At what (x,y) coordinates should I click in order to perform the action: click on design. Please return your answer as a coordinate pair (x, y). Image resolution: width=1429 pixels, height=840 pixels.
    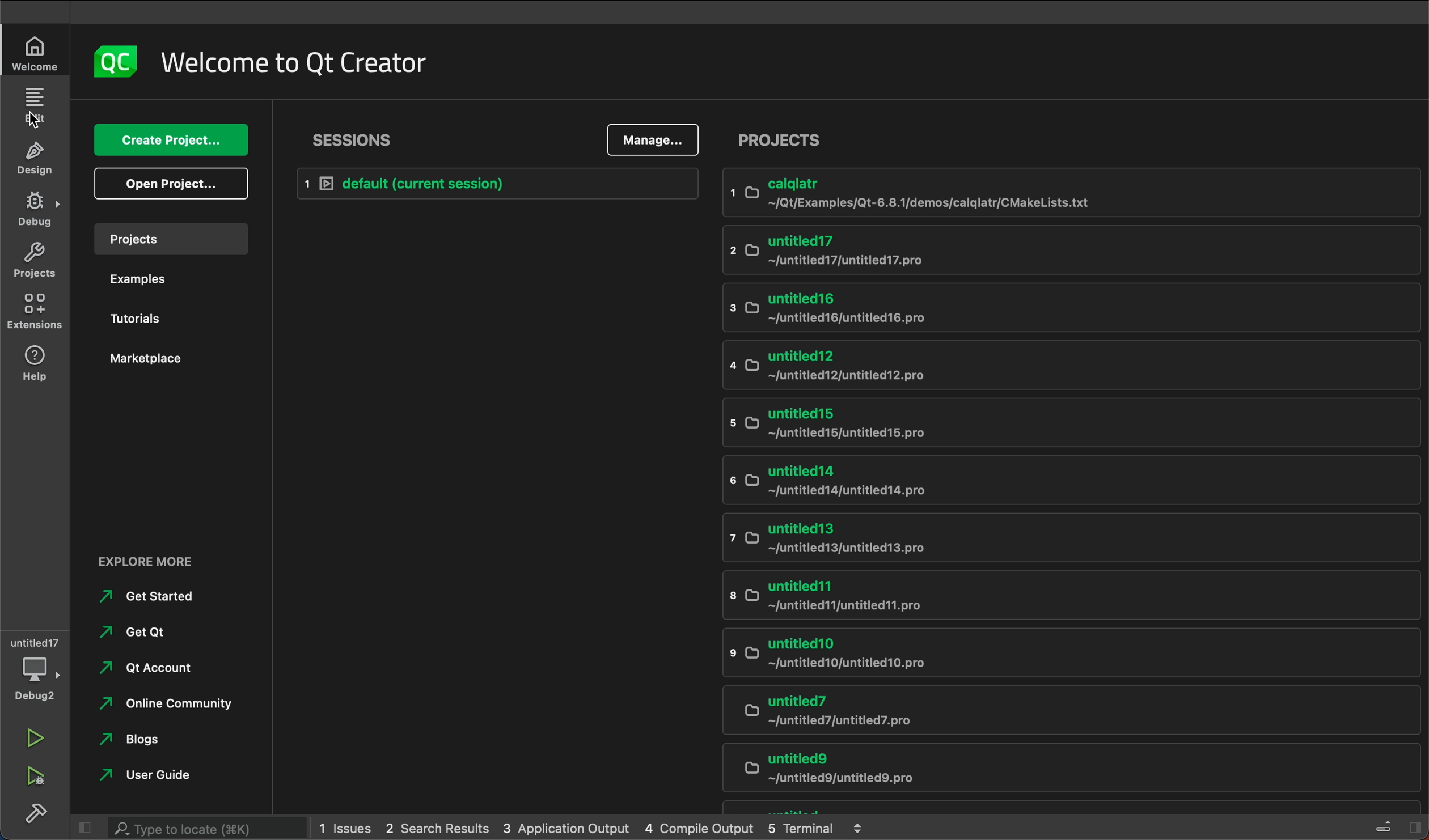
    Looking at the image, I should click on (36, 156).